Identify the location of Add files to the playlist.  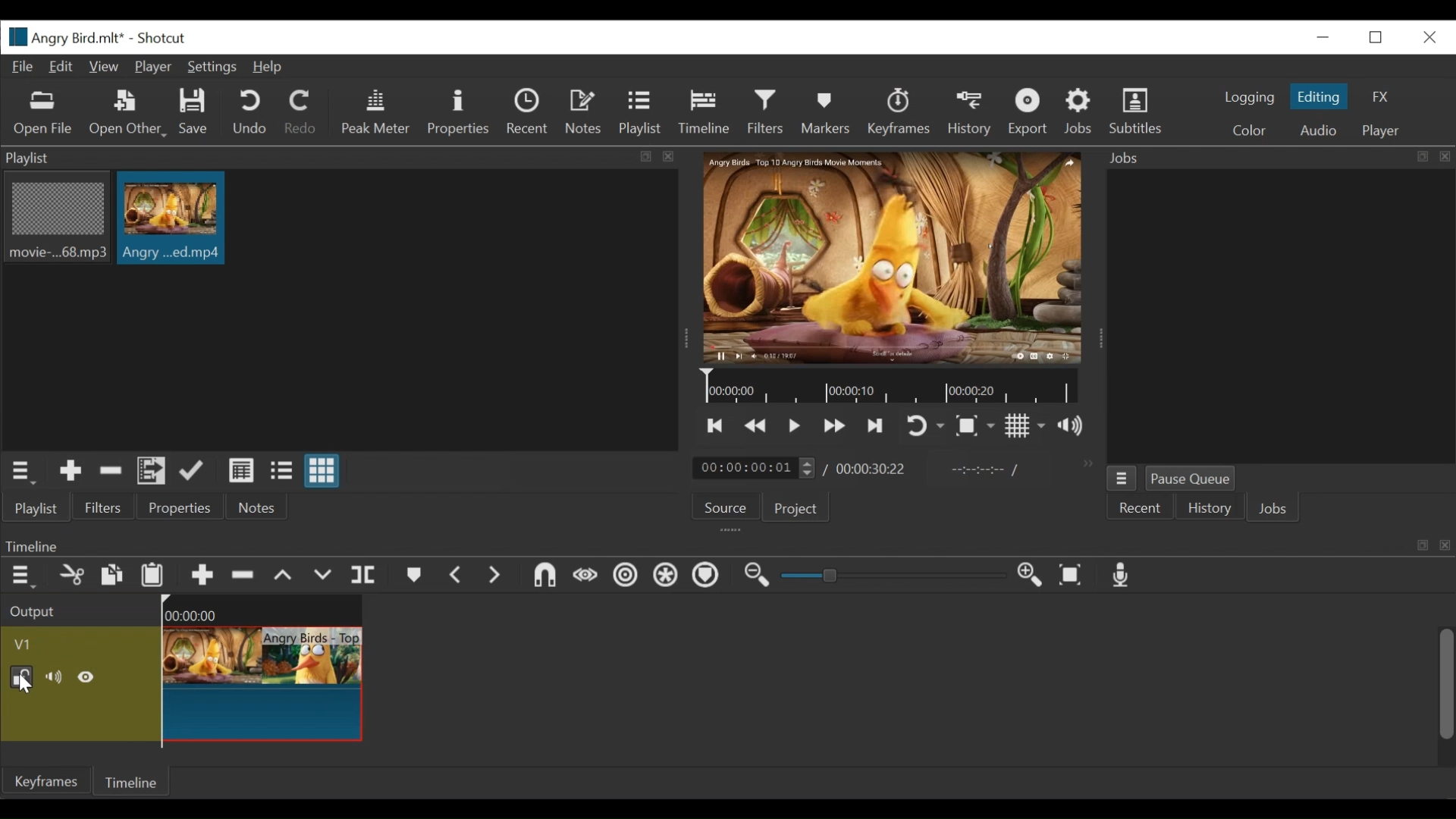
(152, 472).